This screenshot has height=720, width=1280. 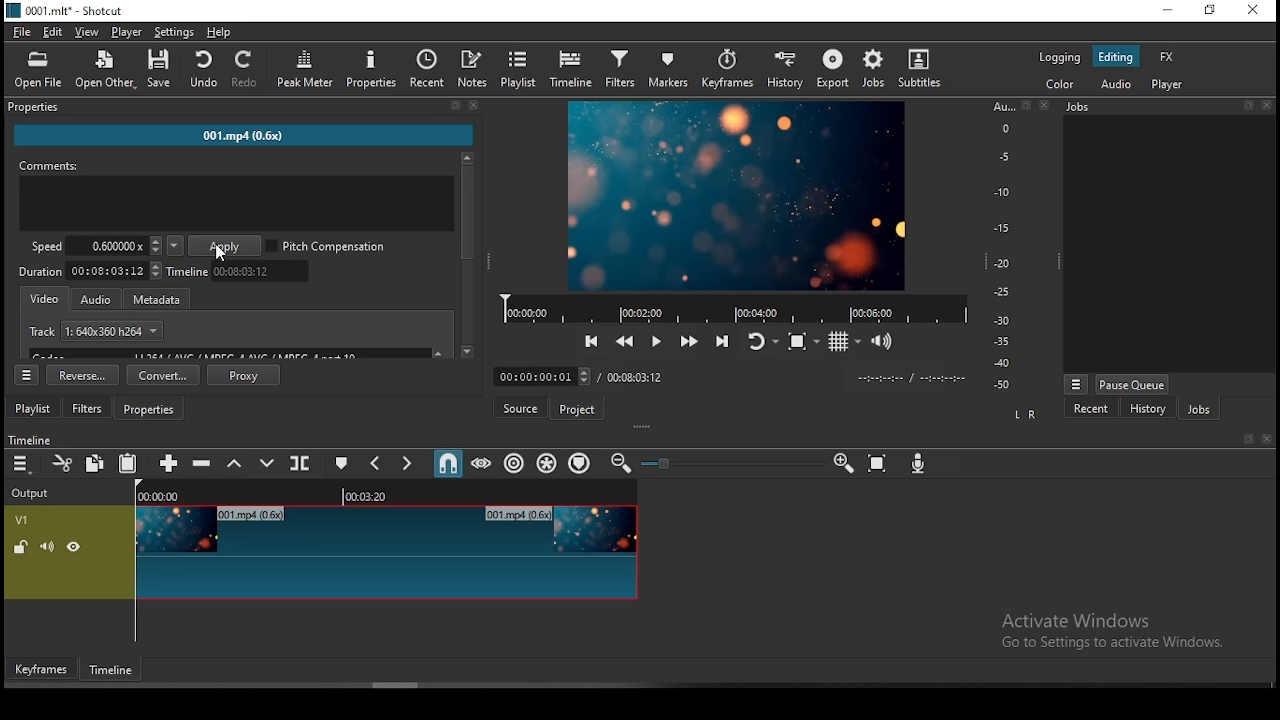 I want to click on project, so click(x=578, y=408).